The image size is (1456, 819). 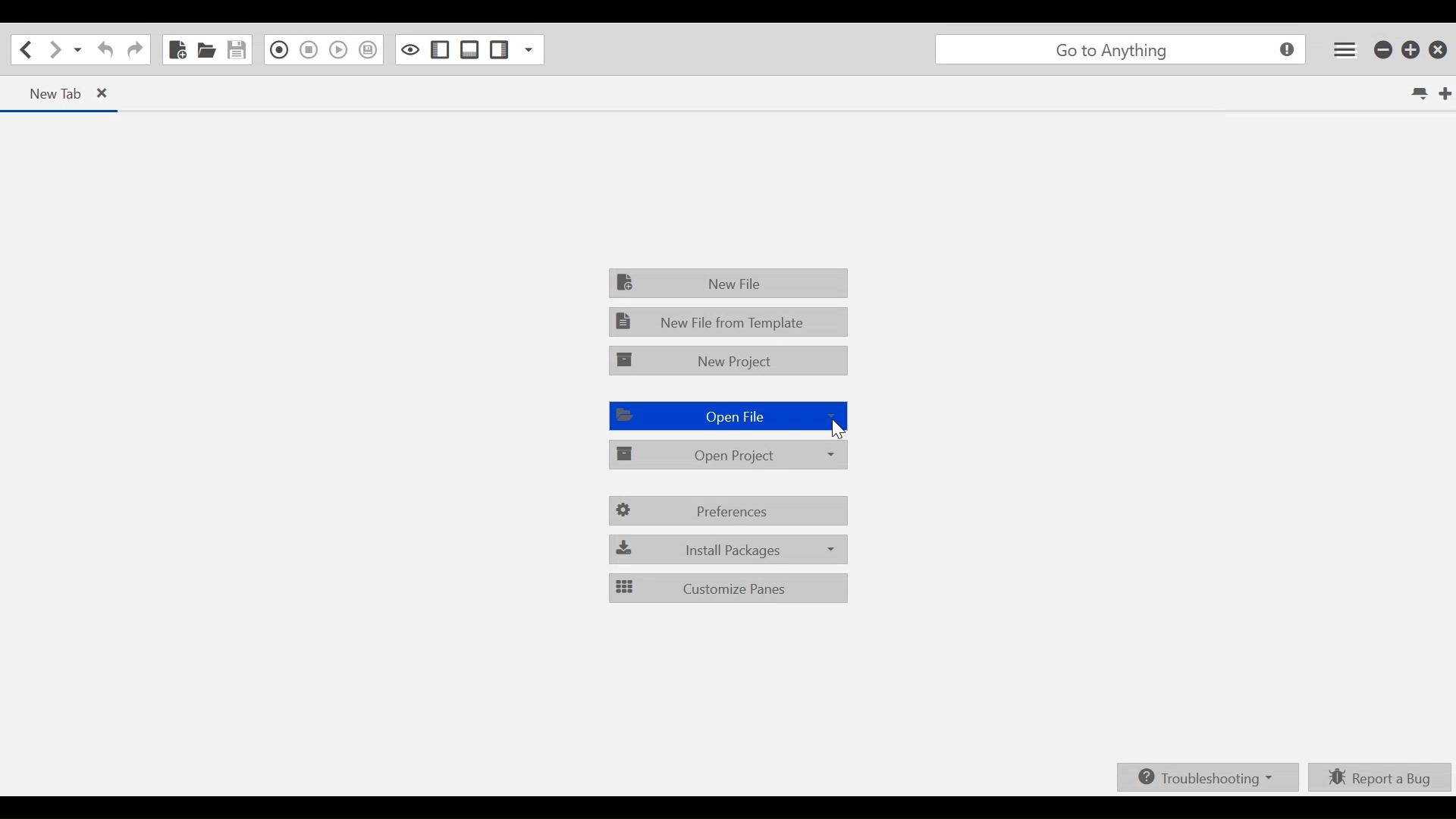 I want to click on Application menu, so click(x=1345, y=49).